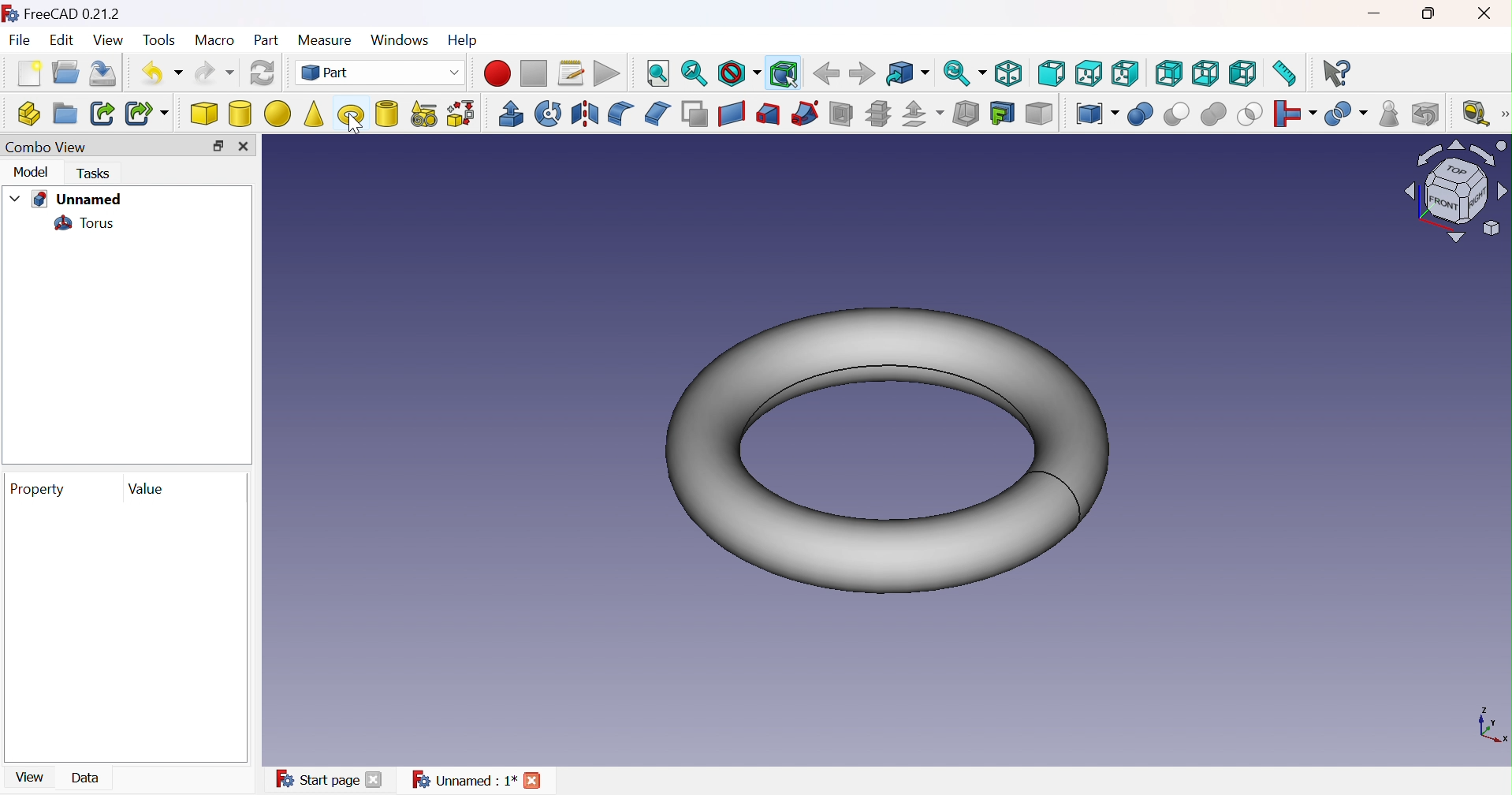 The height and width of the screenshot is (795, 1512). Describe the element at coordinates (402, 43) in the screenshot. I see `Windows` at that location.